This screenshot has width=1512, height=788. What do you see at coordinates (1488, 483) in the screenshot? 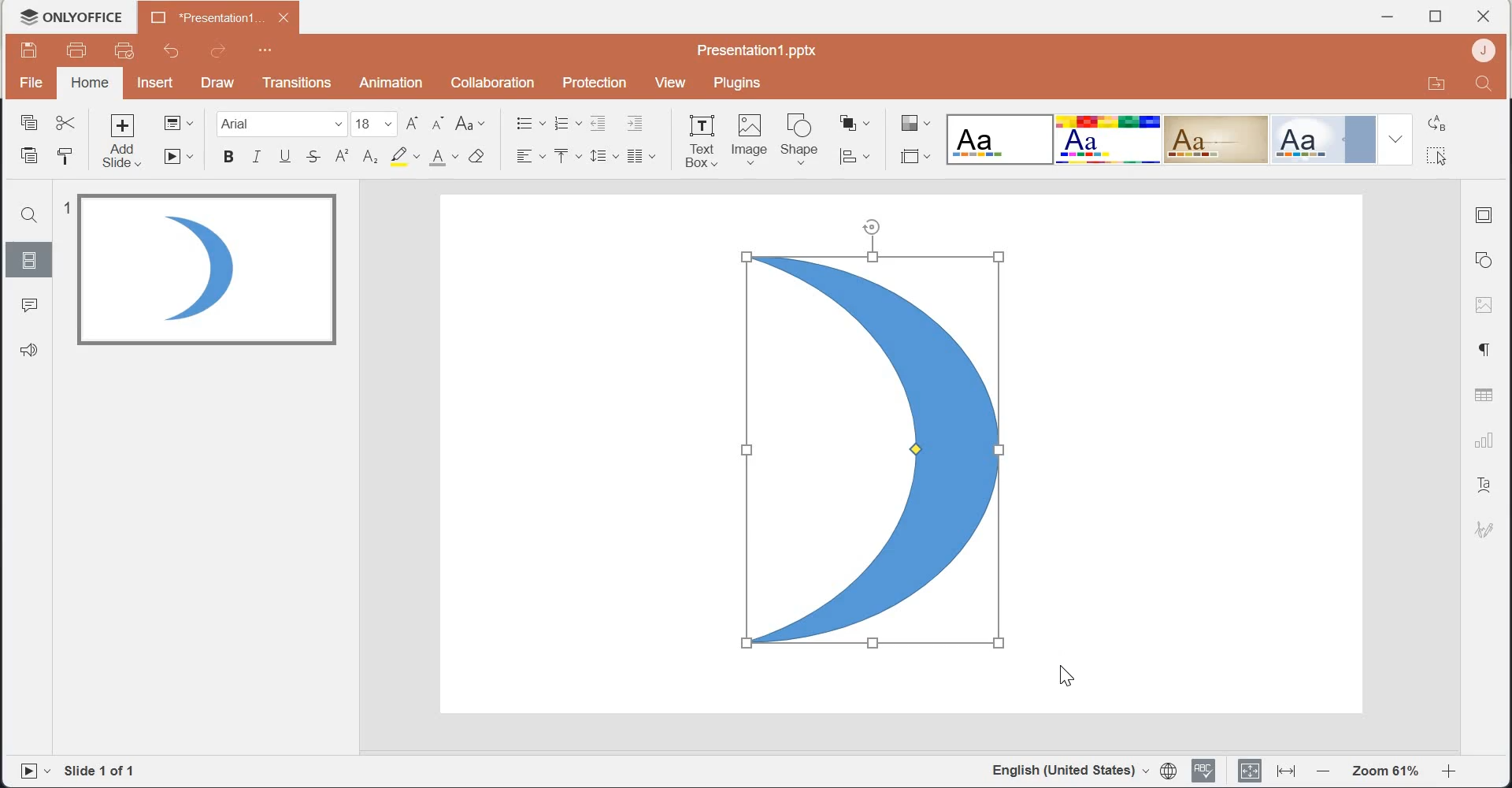
I see `Text` at bounding box center [1488, 483].